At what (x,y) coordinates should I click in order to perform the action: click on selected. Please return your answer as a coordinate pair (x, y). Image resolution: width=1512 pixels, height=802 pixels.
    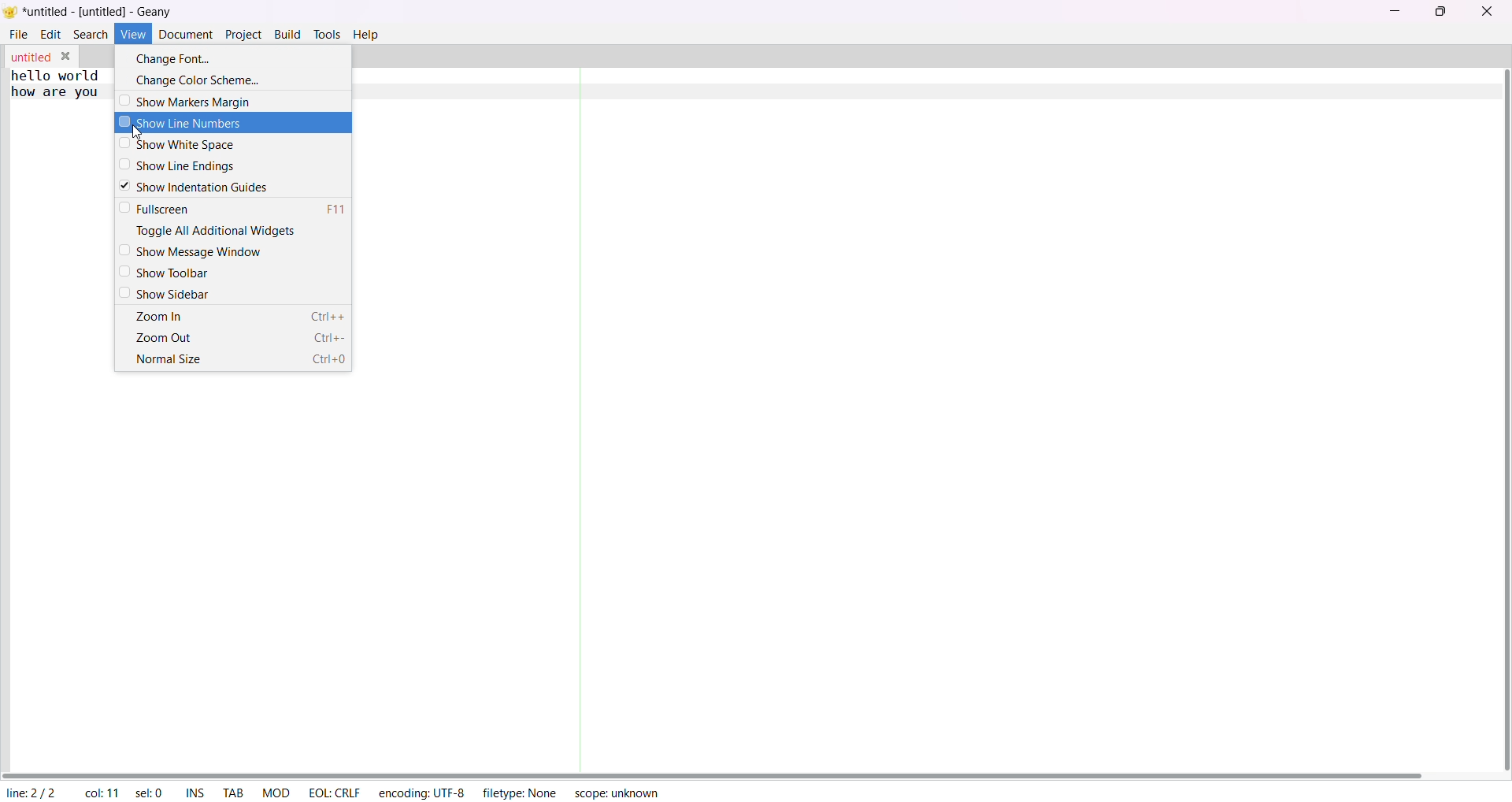
    Looking at the image, I should click on (148, 792).